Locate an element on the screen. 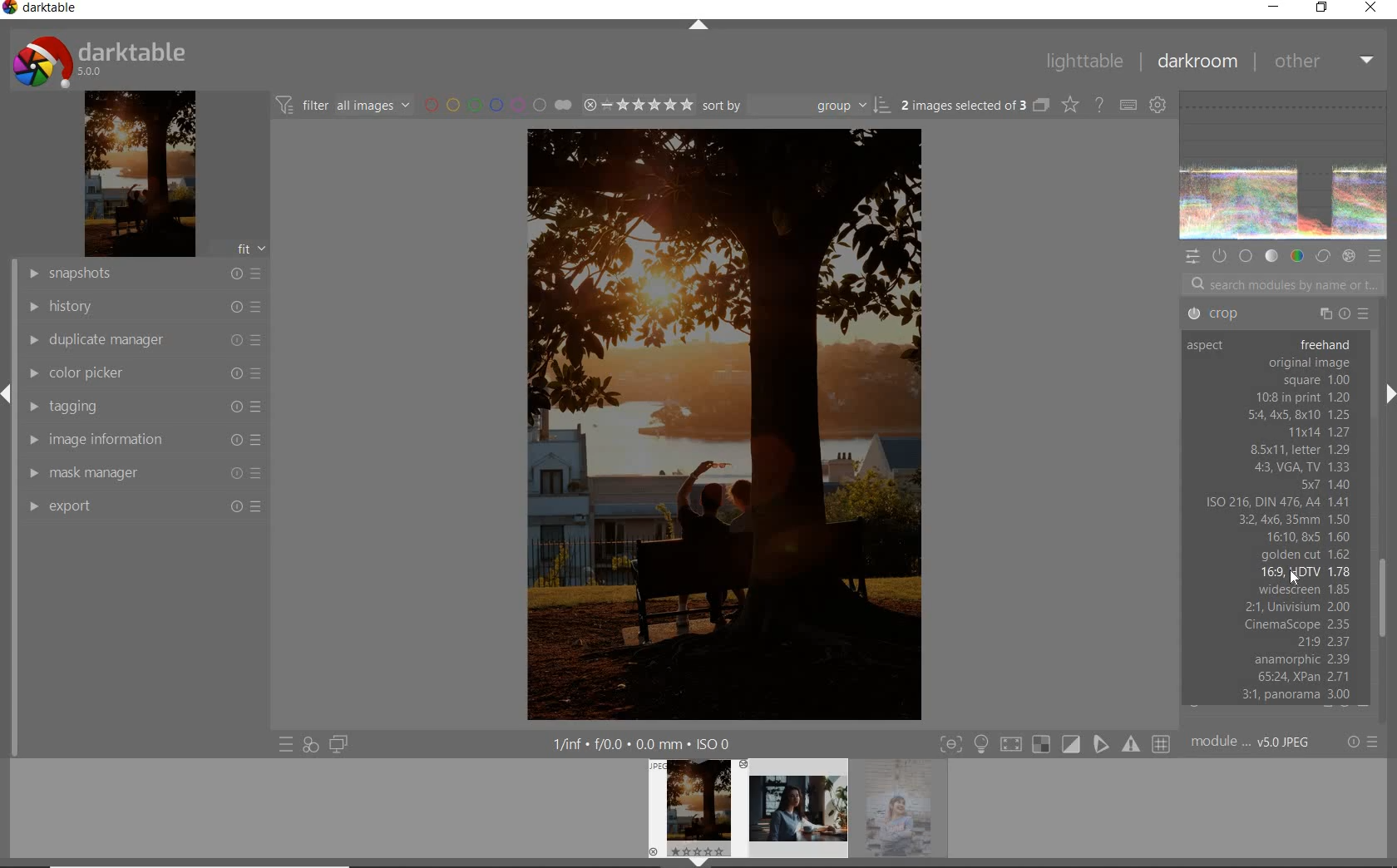 The height and width of the screenshot is (868, 1397). sort is located at coordinates (797, 106).